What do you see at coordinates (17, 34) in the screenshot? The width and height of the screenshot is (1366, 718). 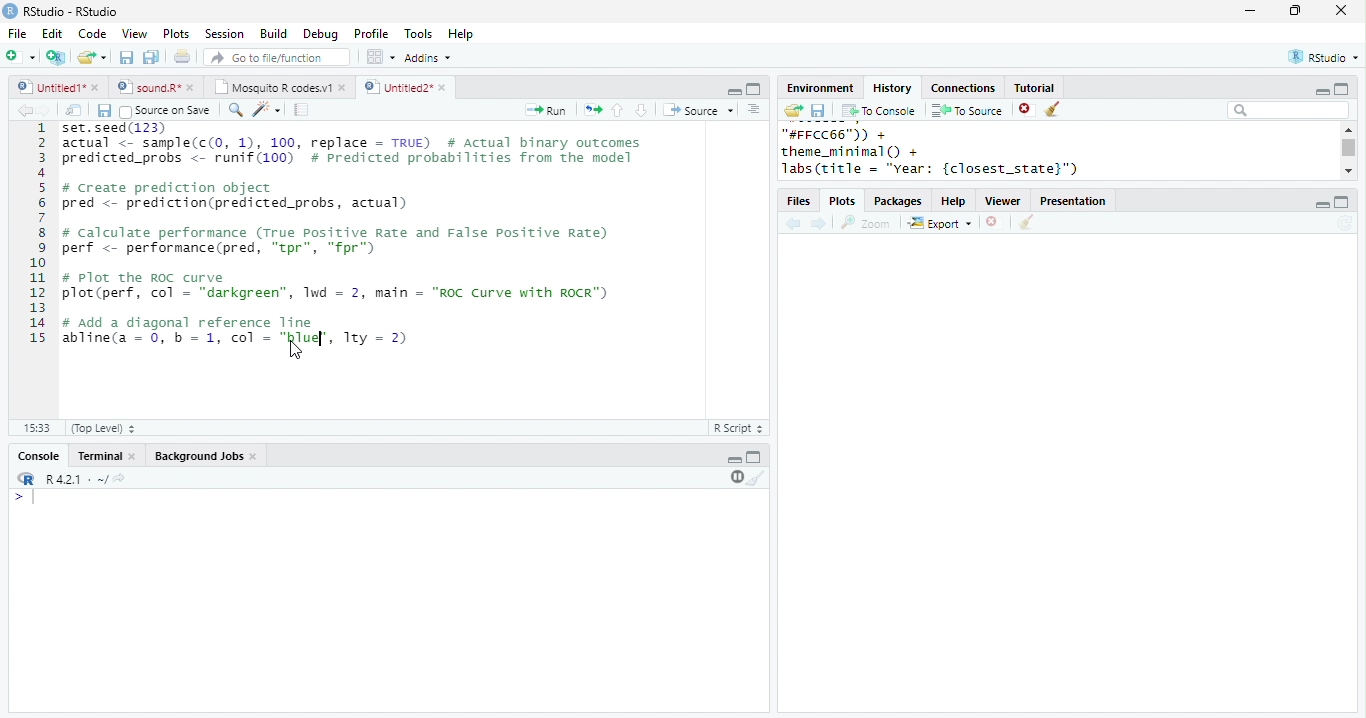 I see `File` at bounding box center [17, 34].